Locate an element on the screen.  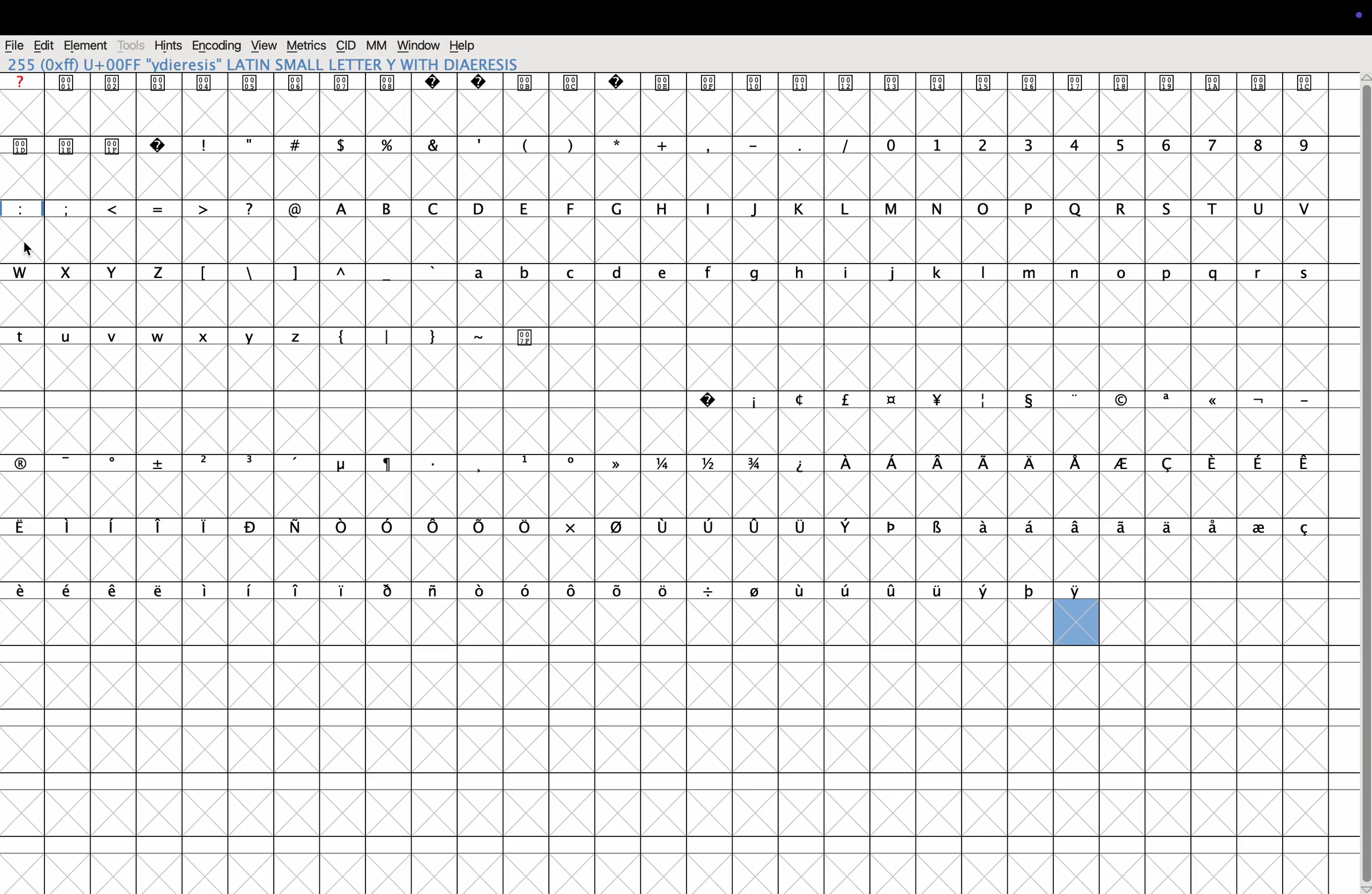
e is located at coordinates (663, 296).